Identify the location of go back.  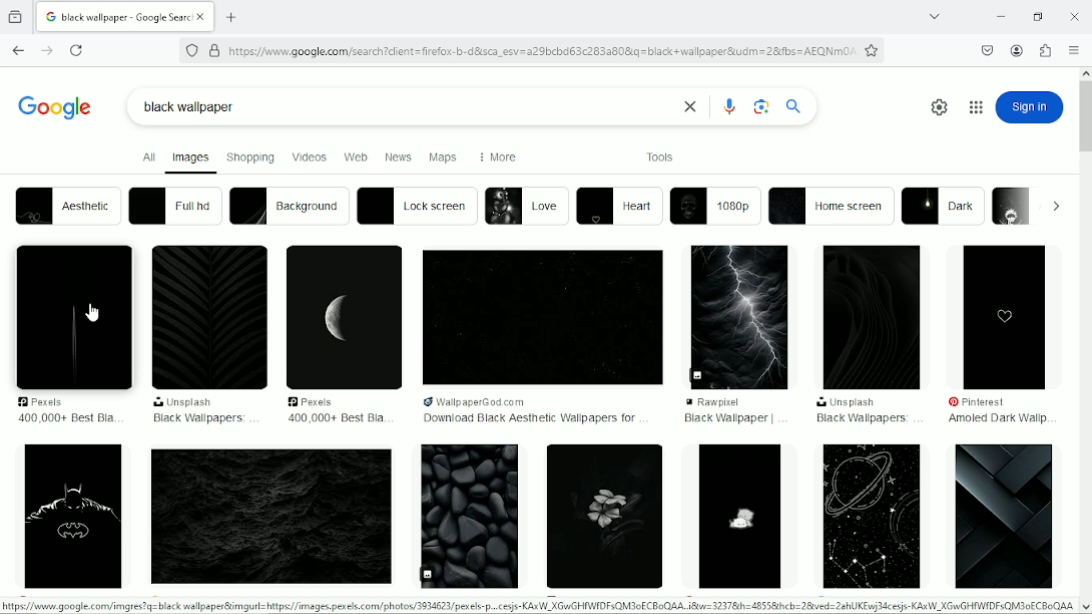
(17, 48).